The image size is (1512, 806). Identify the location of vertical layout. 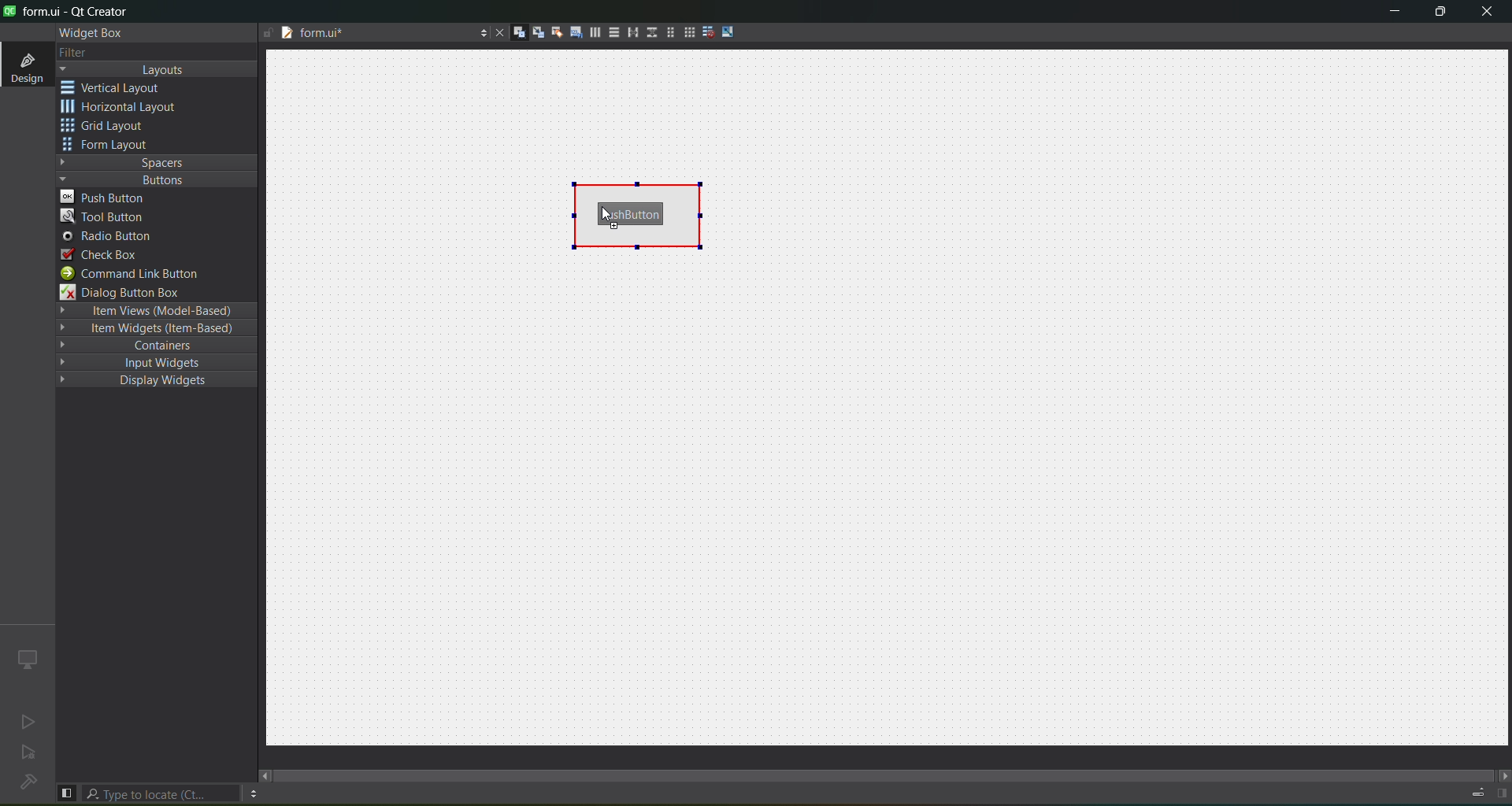
(613, 32).